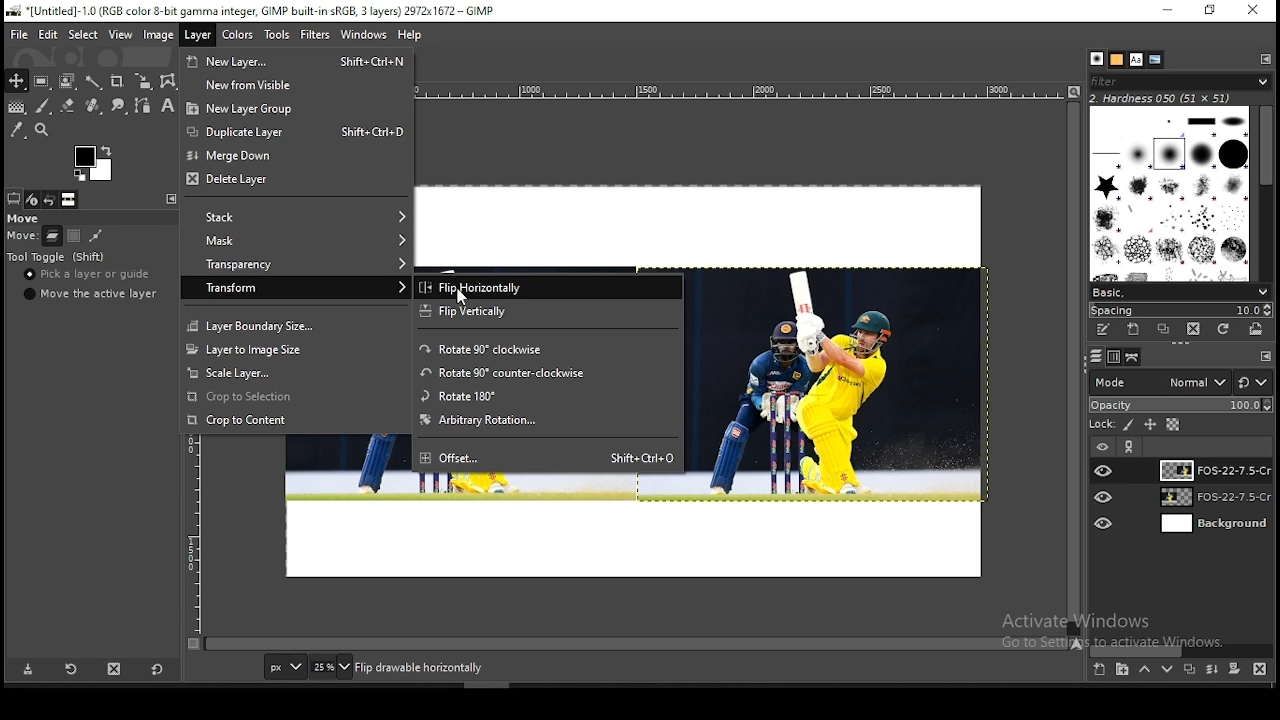  What do you see at coordinates (1266, 357) in the screenshot?
I see `tool` at bounding box center [1266, 357].